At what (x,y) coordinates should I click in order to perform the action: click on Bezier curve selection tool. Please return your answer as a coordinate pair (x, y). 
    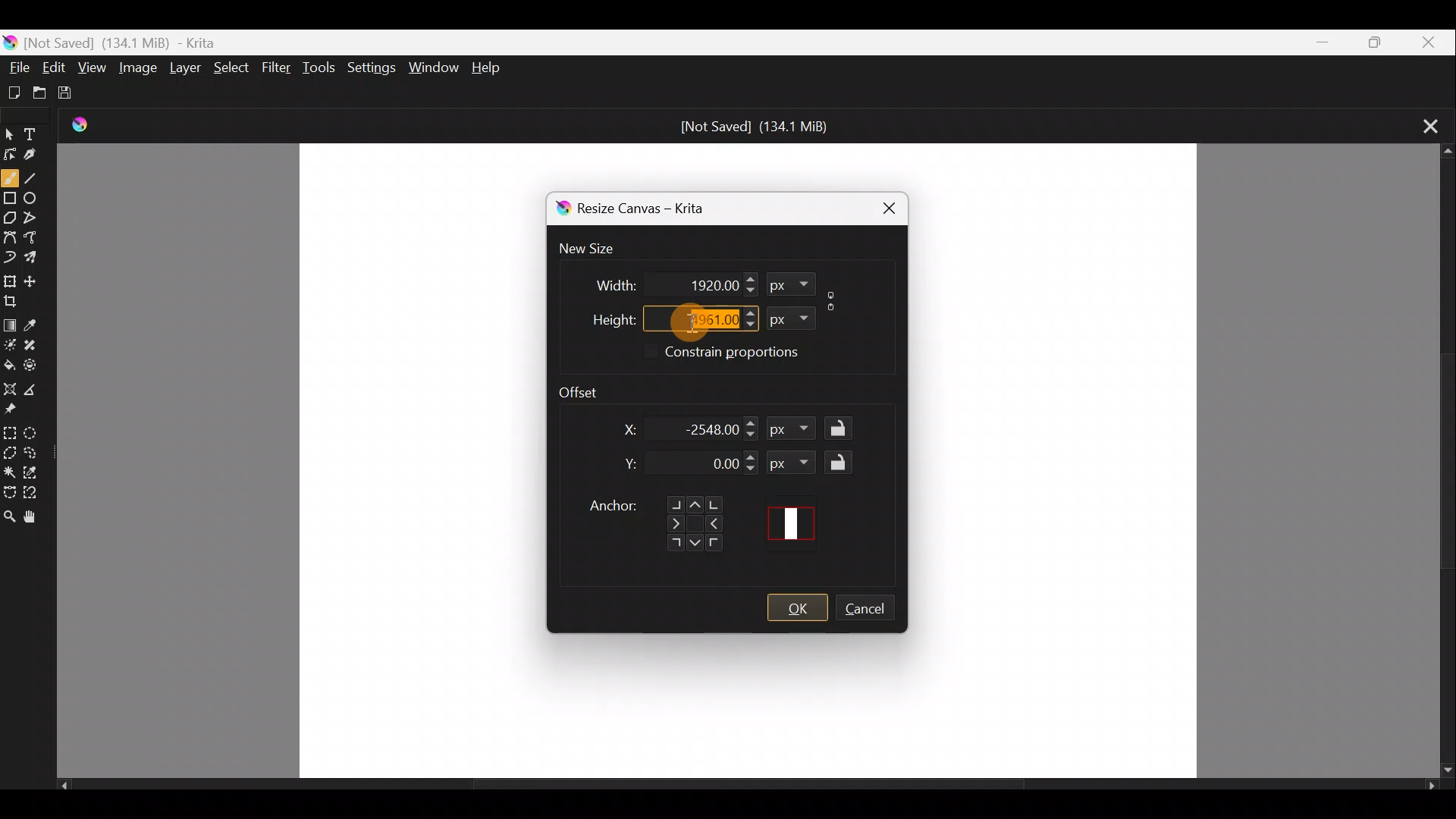
    Looking at the image, I should click on (9, 489).